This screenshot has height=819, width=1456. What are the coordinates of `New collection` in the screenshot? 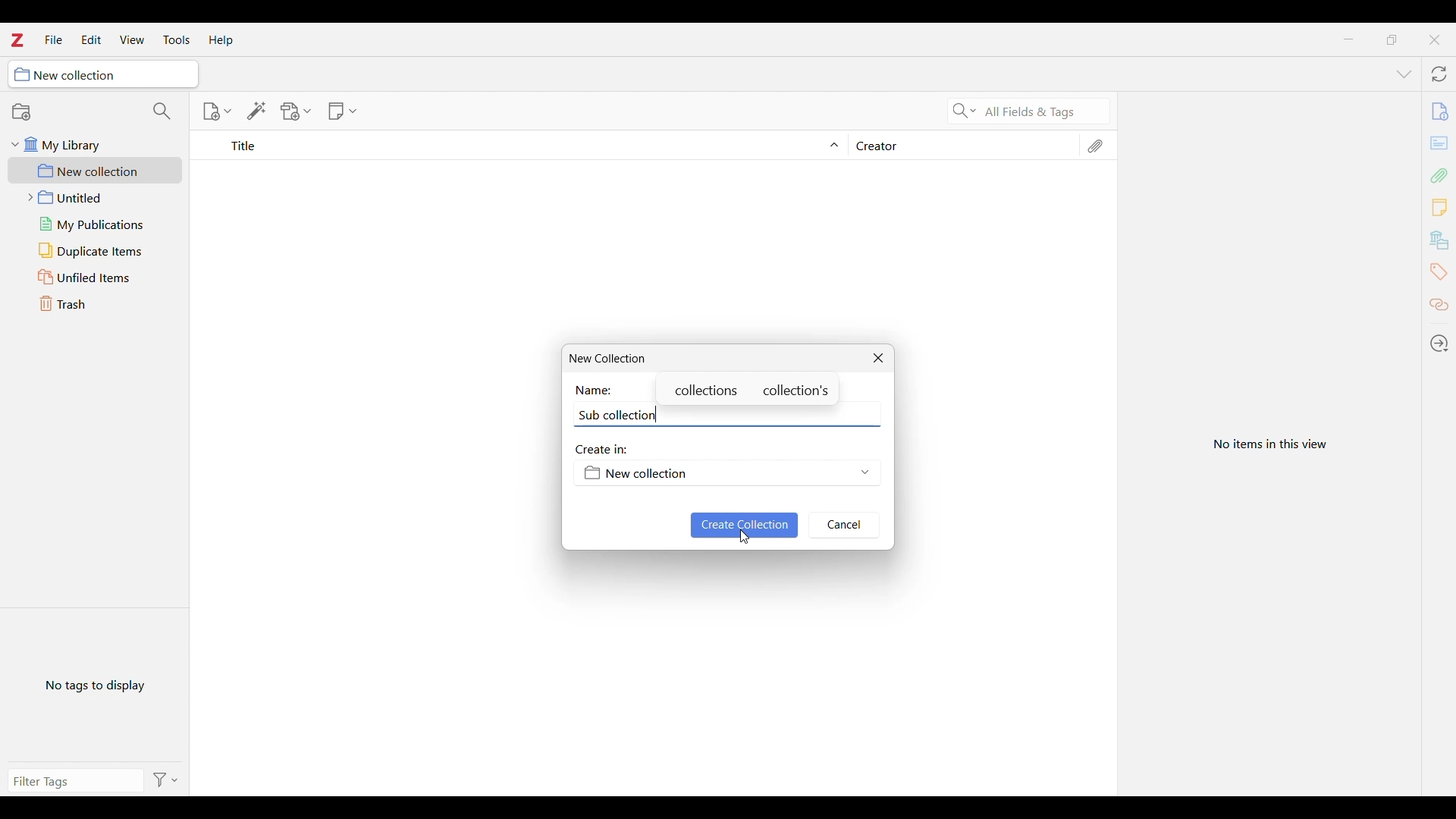 It's located at (22, 112).